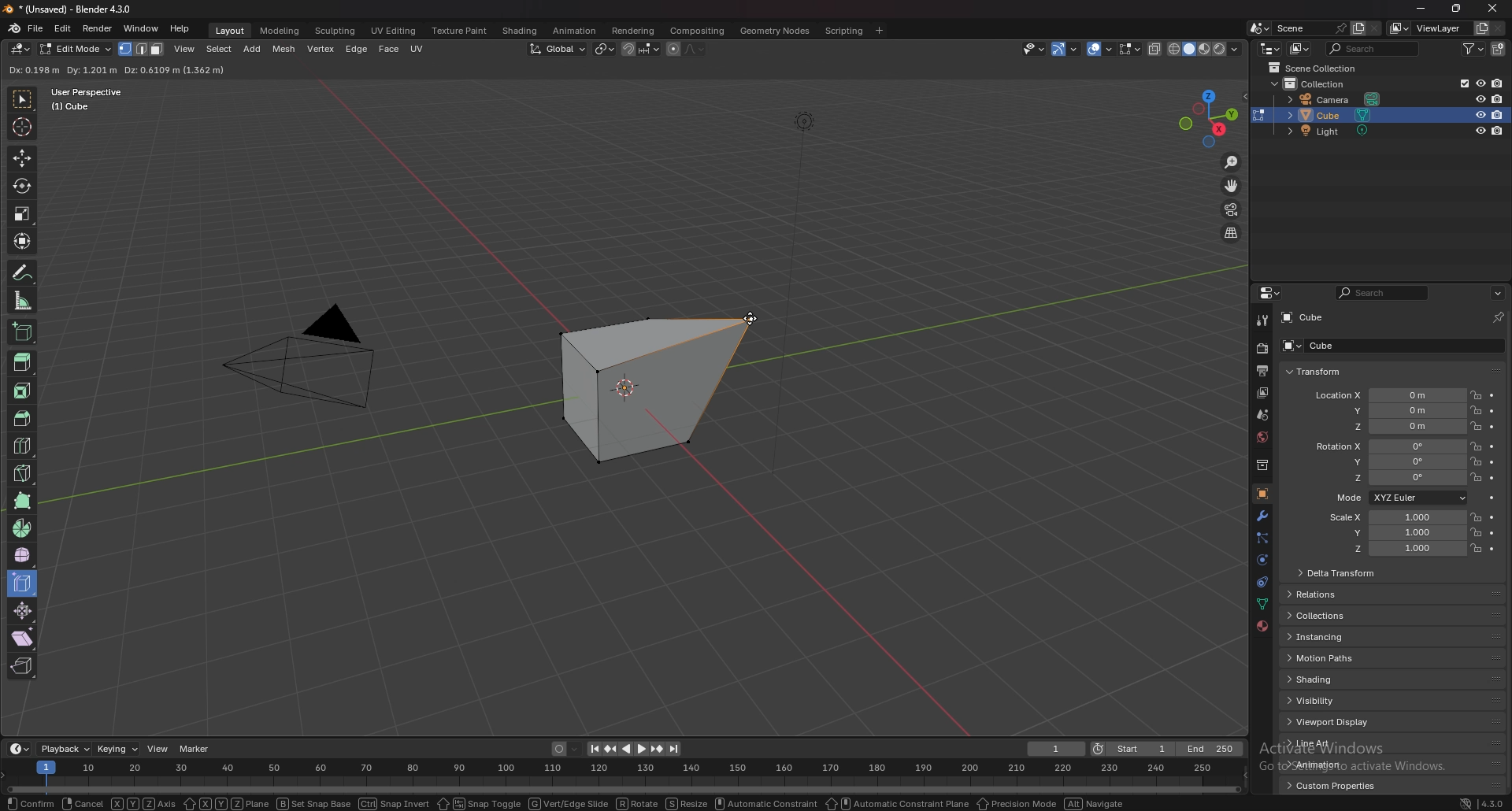 Image resolution: width=1512 pixels, height=811 pixels. I want to click on cube, so click(1368, 346).